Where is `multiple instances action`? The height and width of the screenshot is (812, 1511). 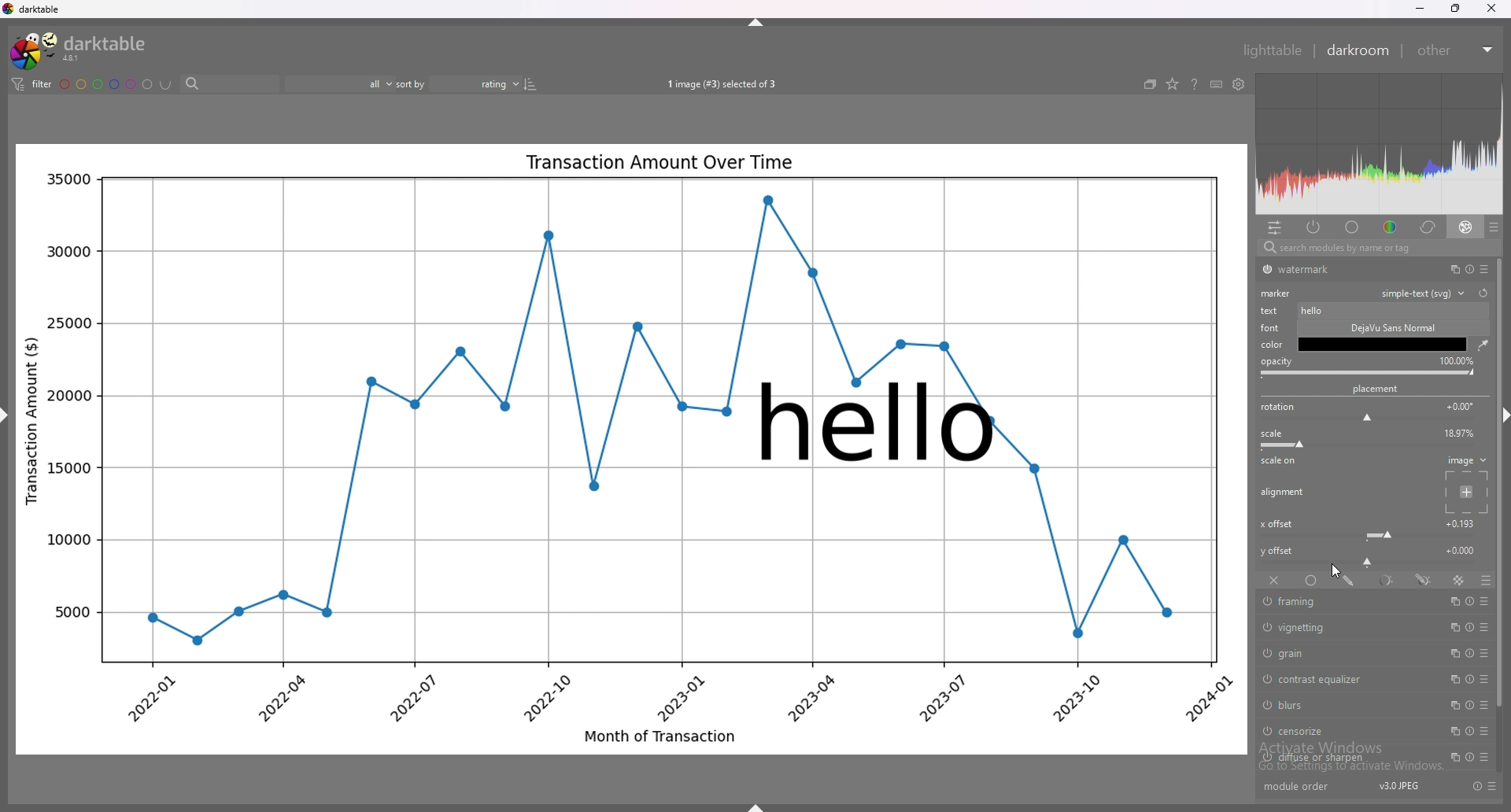 multiple instances action is located at coordinates (1450, 269).